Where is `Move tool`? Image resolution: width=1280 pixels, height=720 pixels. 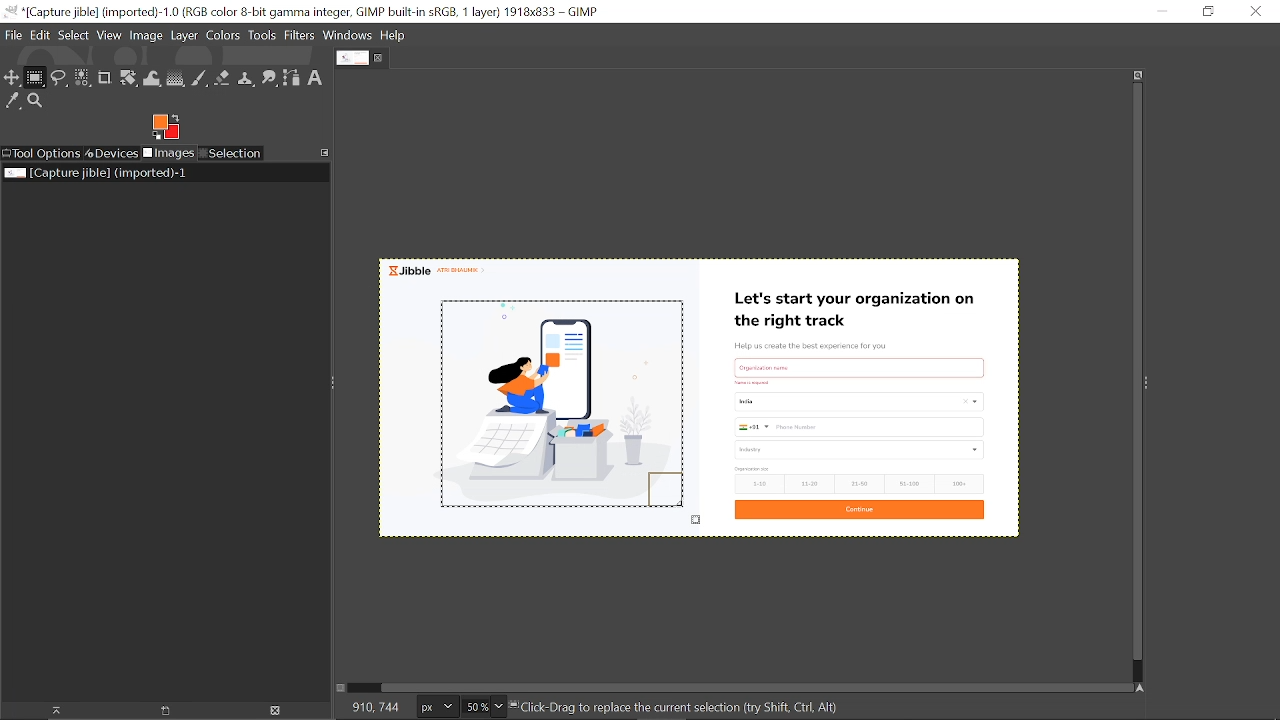
Move tool is located at coordinates (13, 79).